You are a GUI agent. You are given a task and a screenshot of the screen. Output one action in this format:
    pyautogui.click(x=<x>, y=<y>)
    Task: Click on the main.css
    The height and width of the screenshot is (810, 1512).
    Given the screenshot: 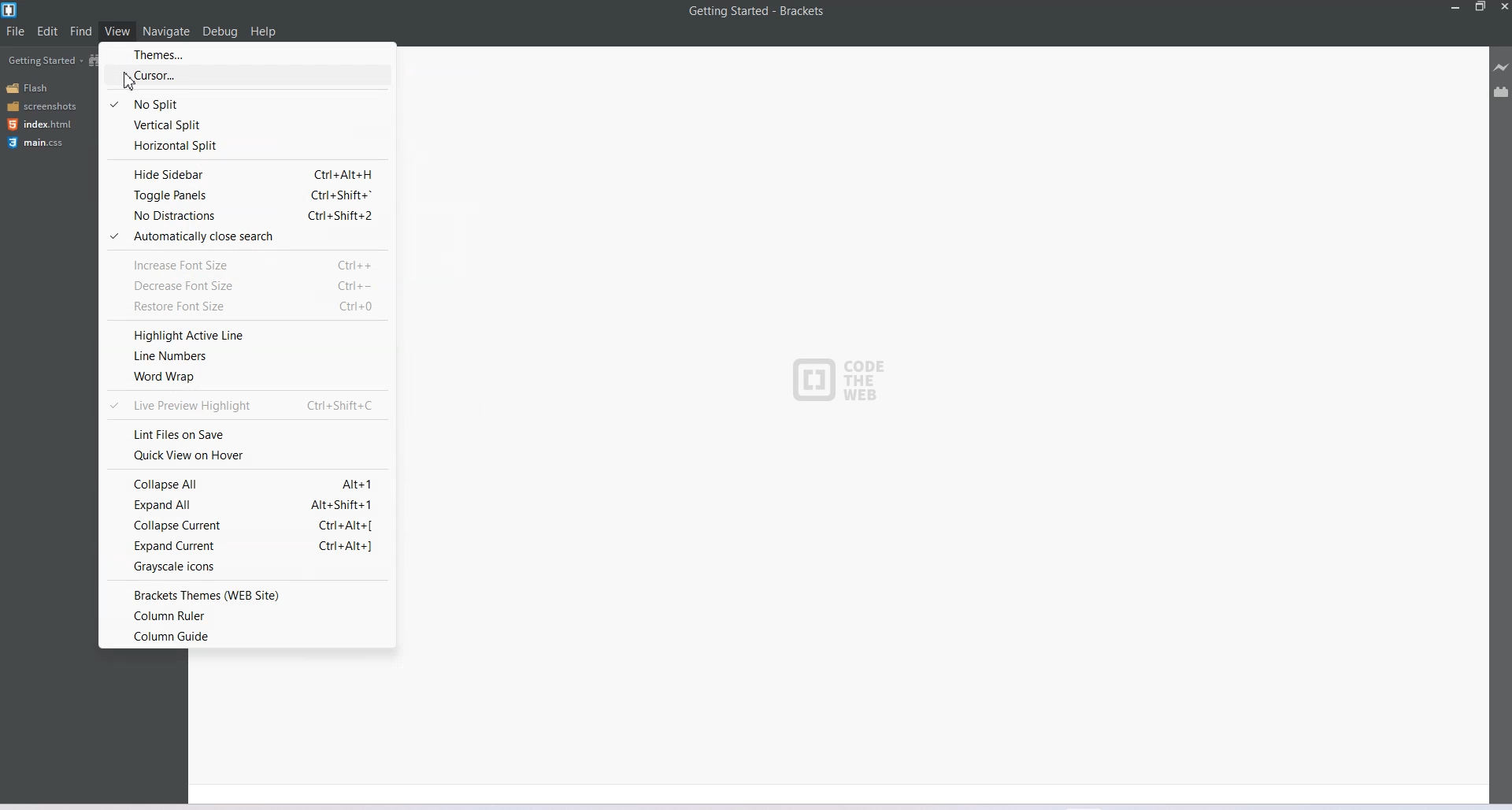 What is the action you would take?
    pyautogui.click(x=39, y=143)
    